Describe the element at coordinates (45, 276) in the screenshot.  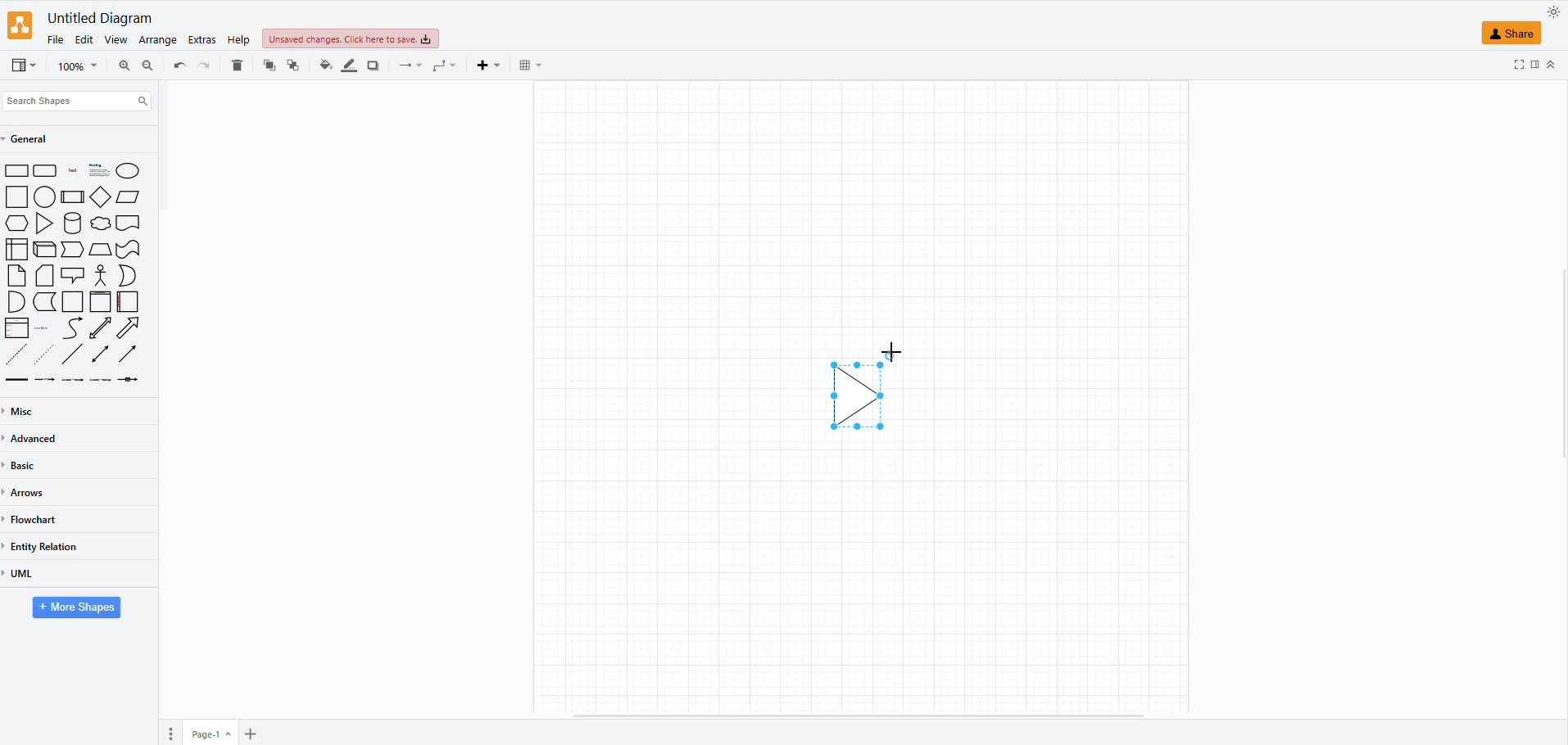
I see `File Icon` at that location.